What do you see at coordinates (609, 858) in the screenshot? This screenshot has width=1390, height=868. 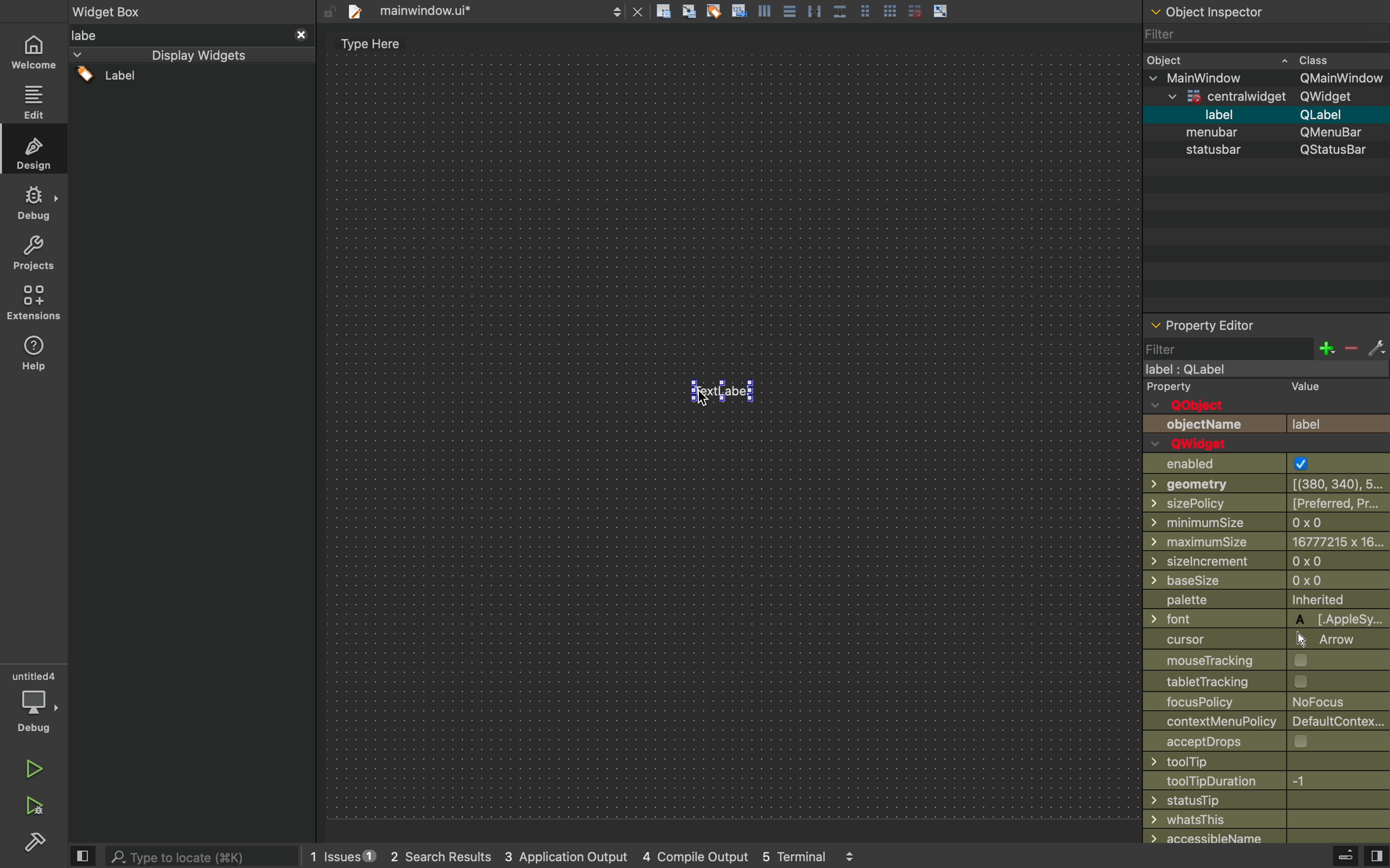 I see `logs` at bounding box center [609, 858].